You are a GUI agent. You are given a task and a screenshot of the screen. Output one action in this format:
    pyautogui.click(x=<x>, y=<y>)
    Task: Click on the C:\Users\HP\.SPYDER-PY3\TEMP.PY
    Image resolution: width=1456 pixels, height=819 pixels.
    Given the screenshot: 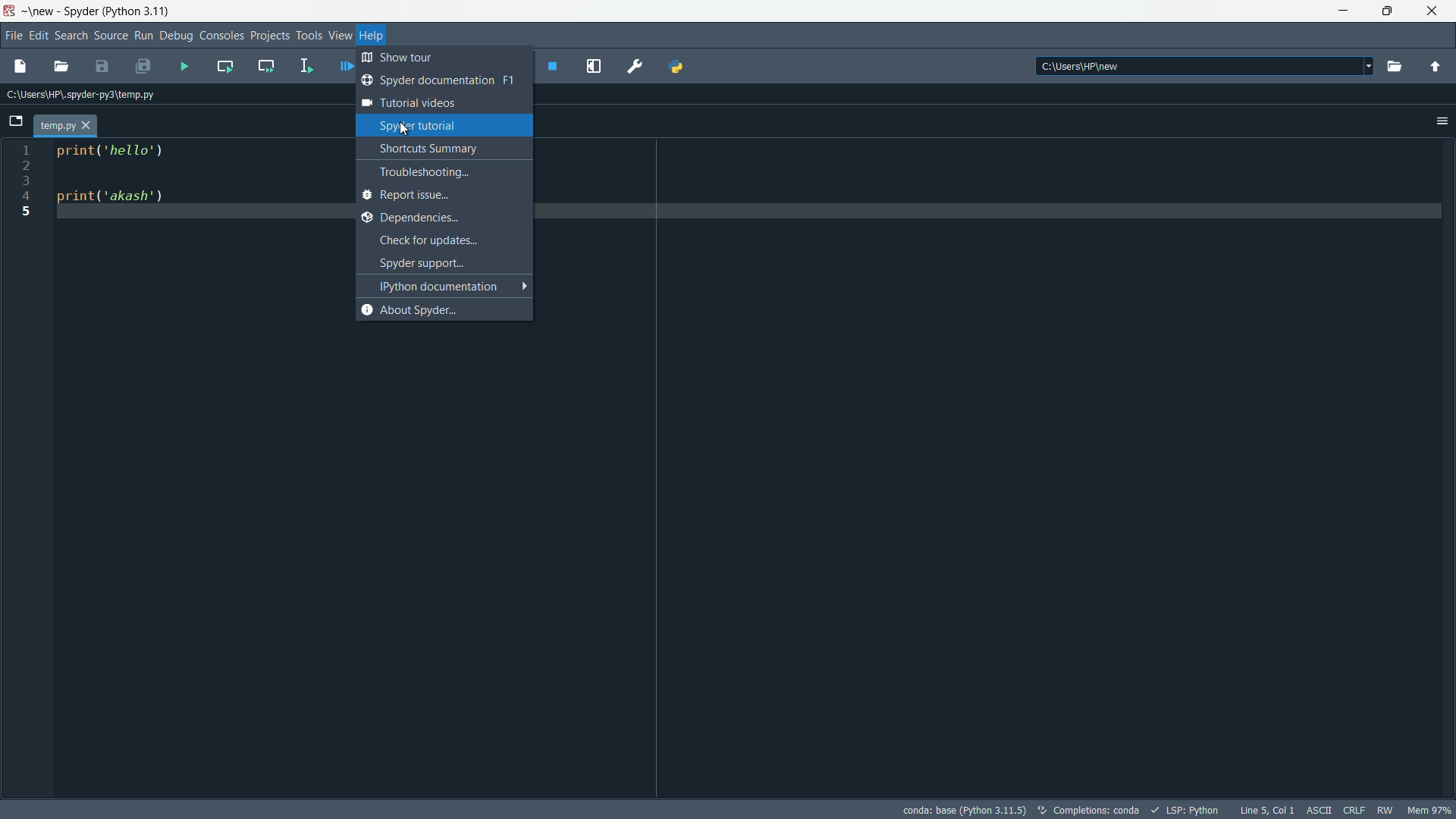 What is the action you would take?
    pyautogui.click(x=86, y=93)
    